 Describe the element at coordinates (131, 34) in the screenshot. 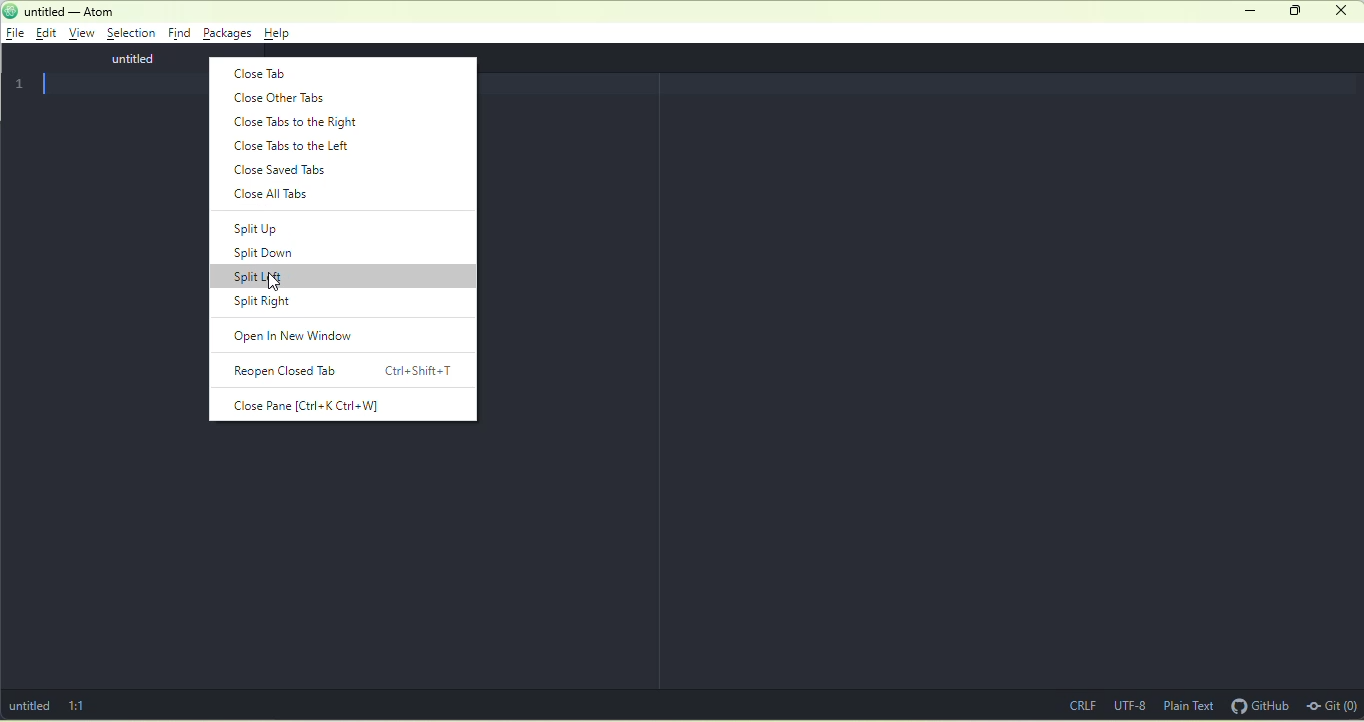

I see `selection` at that location.